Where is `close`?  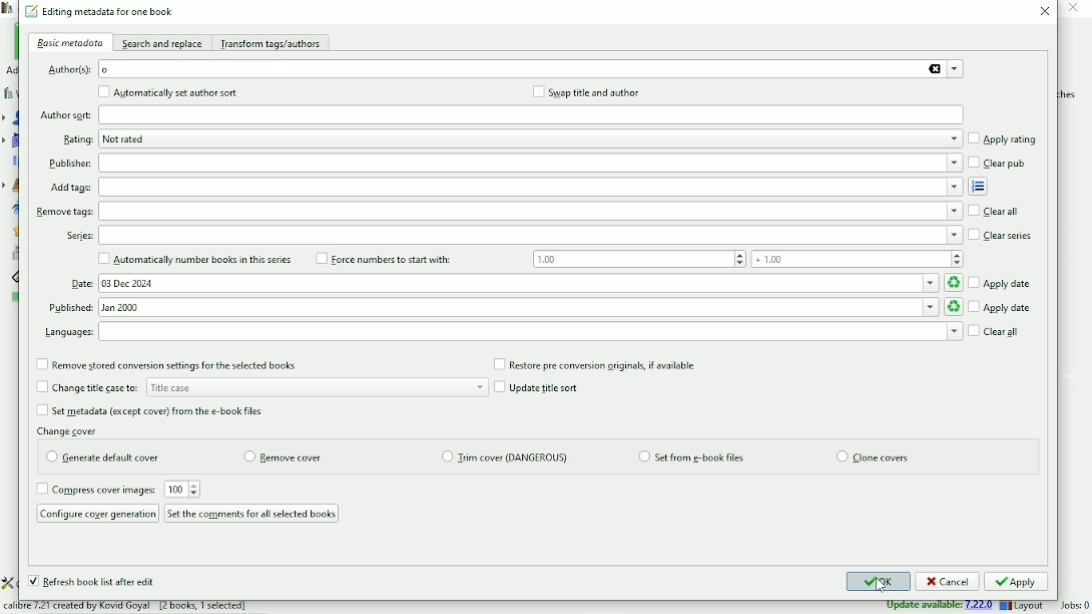
close is located at coordinates (1075, 10).